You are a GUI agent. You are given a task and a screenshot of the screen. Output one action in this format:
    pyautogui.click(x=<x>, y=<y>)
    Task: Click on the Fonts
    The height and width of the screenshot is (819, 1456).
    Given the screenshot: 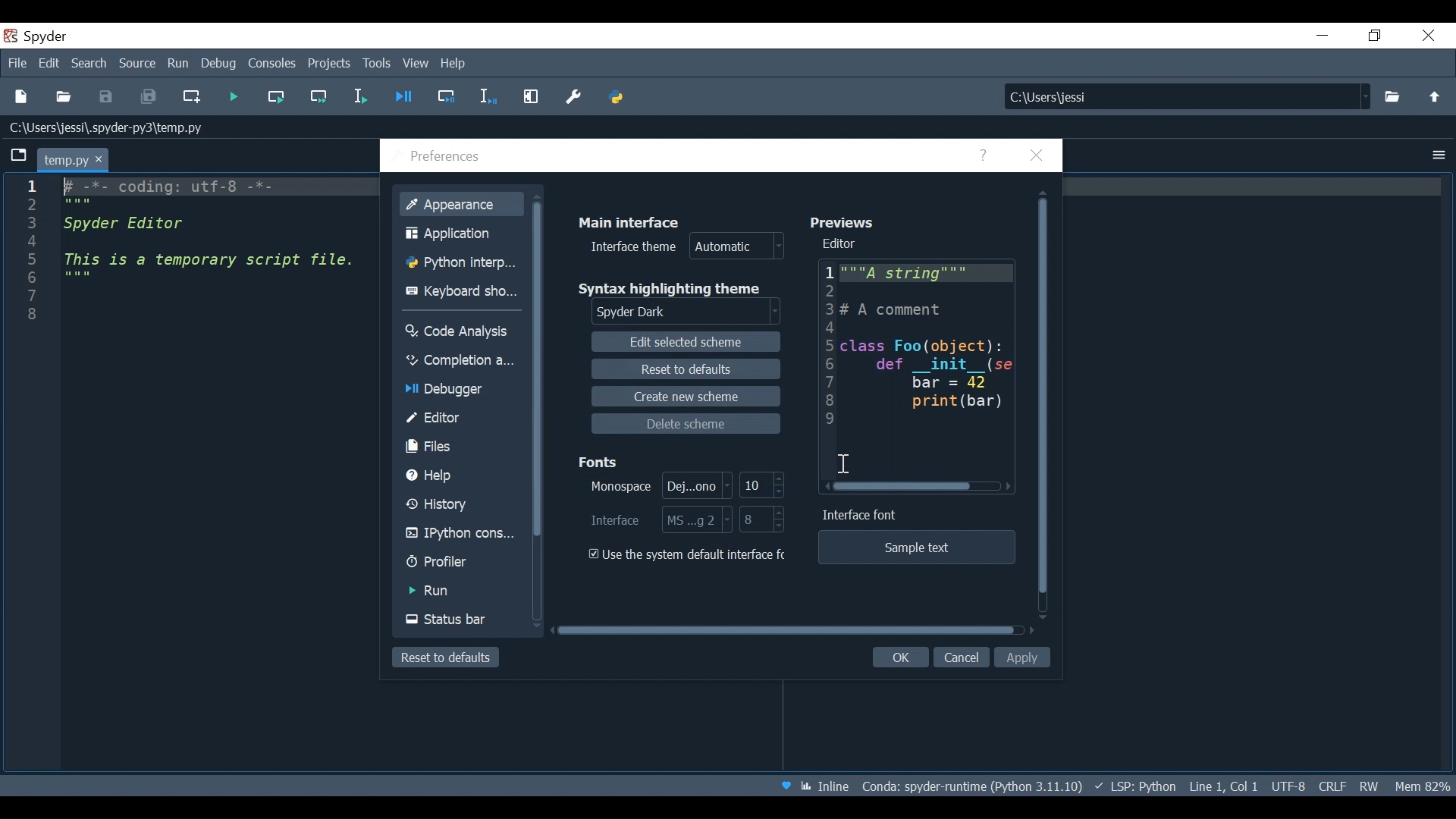 What is the action you would take?
    pyautogui.click(x=601, y=459)
    